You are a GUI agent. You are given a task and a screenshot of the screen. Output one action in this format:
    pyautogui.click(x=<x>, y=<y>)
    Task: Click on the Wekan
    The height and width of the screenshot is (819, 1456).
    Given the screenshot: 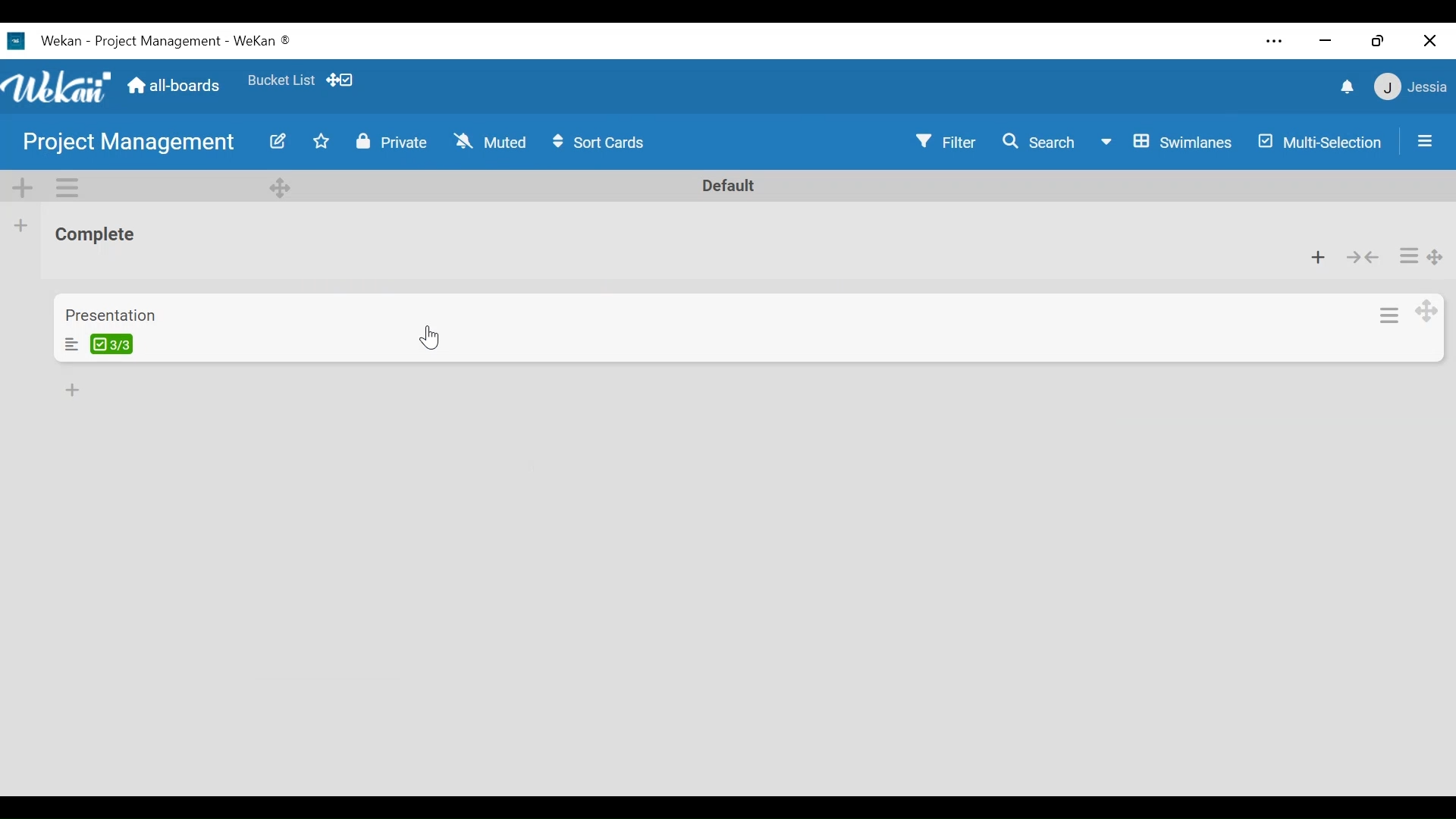 What is the action you would take?
    pyautogui.click(x=262, y=42)
    